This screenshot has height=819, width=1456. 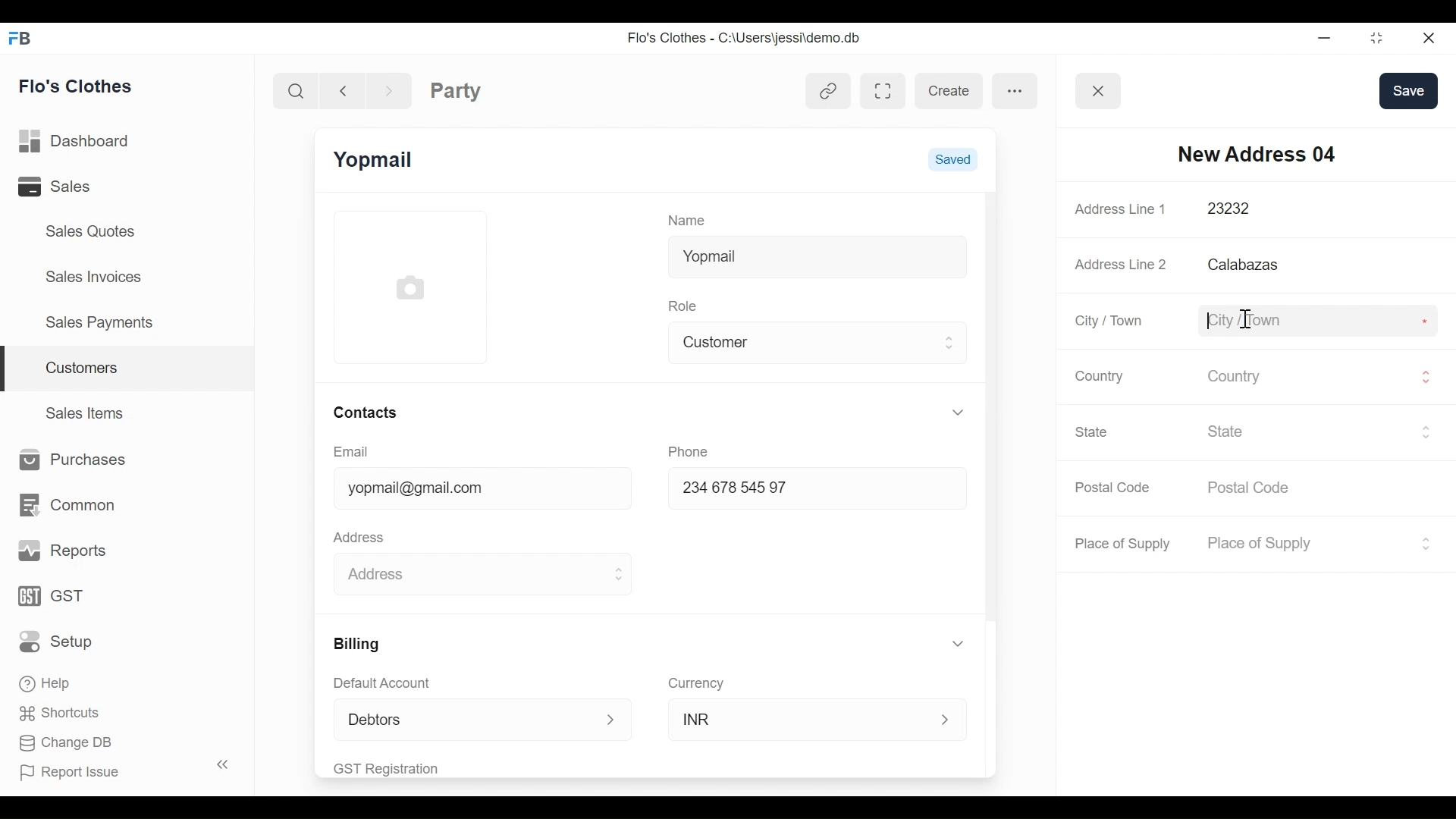 What do you see at coordinates (355, 644) in the screenshot?
I see `Billing` at bounding box center [355, 644].